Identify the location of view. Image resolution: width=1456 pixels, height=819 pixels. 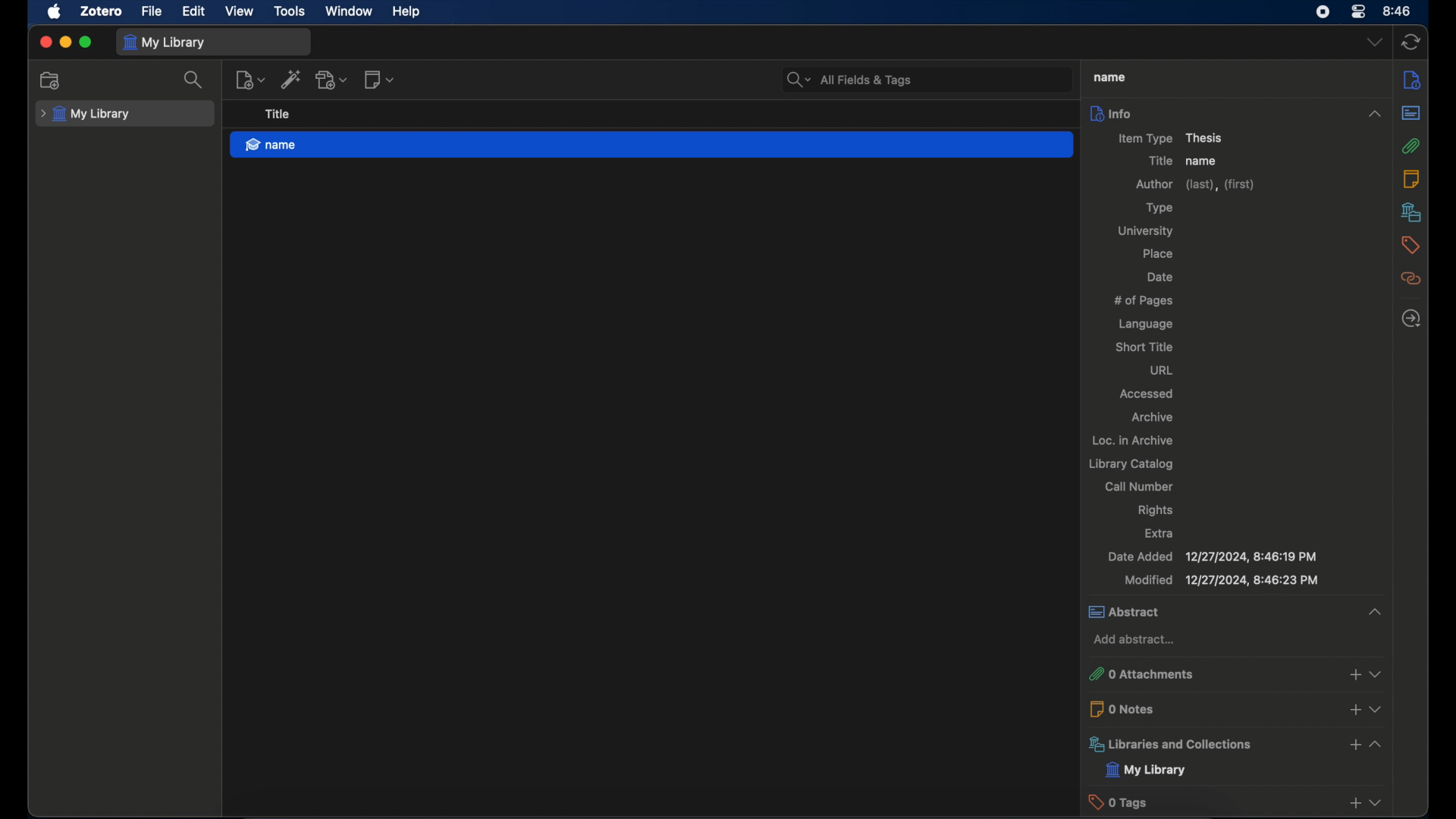
(240, 11).